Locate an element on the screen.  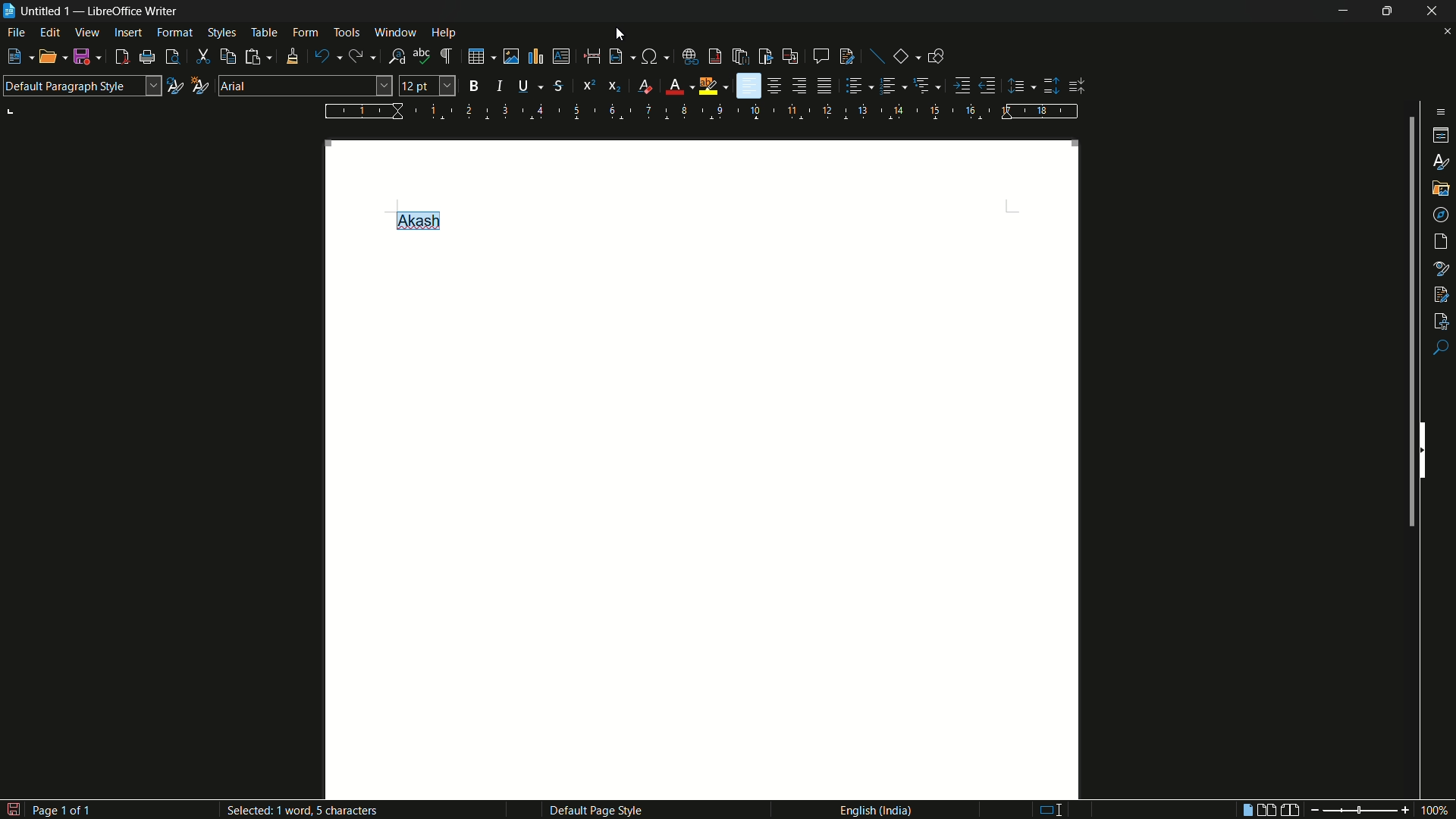
insert field is located at coordinates (615, 57).